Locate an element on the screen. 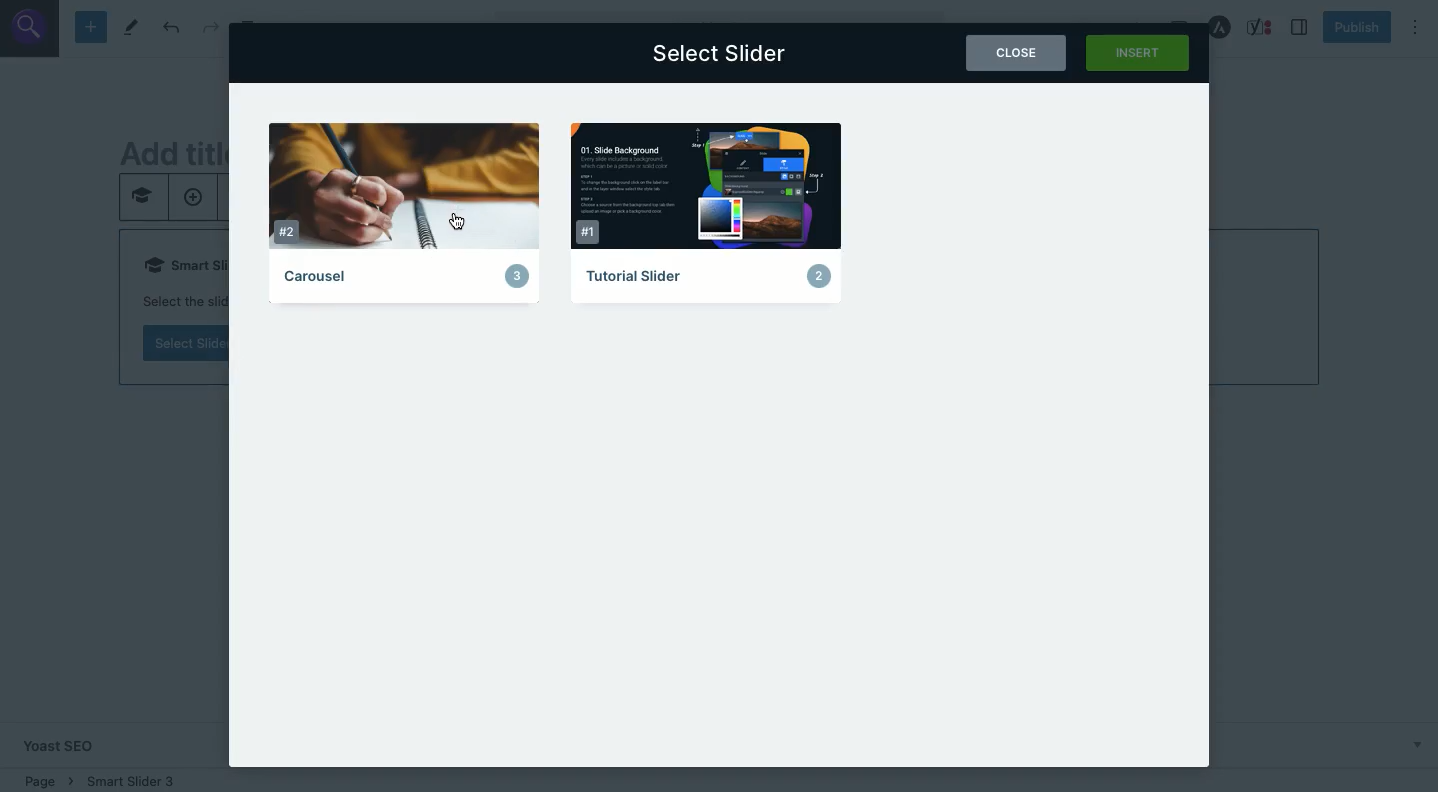 The width and height of the screenshot is (1438, 792). Tools is located at coordinates (132, 27).